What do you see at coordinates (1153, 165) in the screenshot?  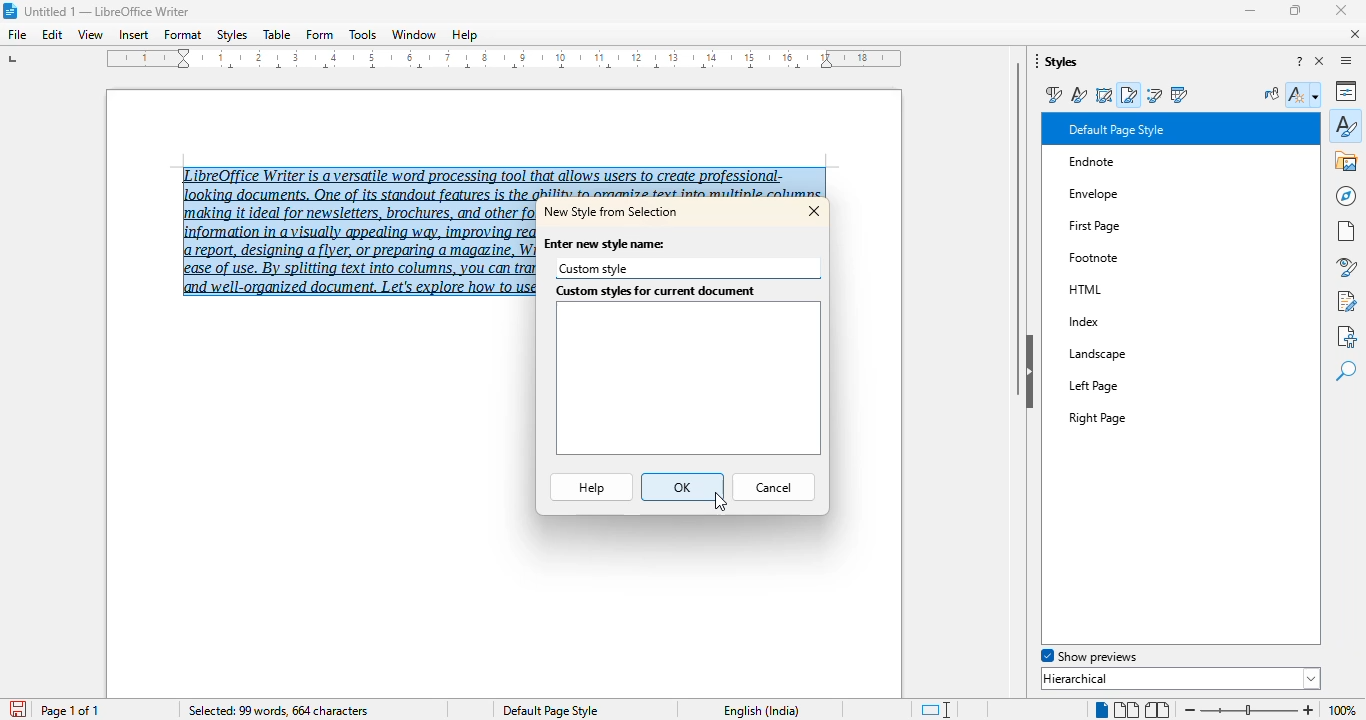 I see ` Endnote` at bounding box center [1153, 165].